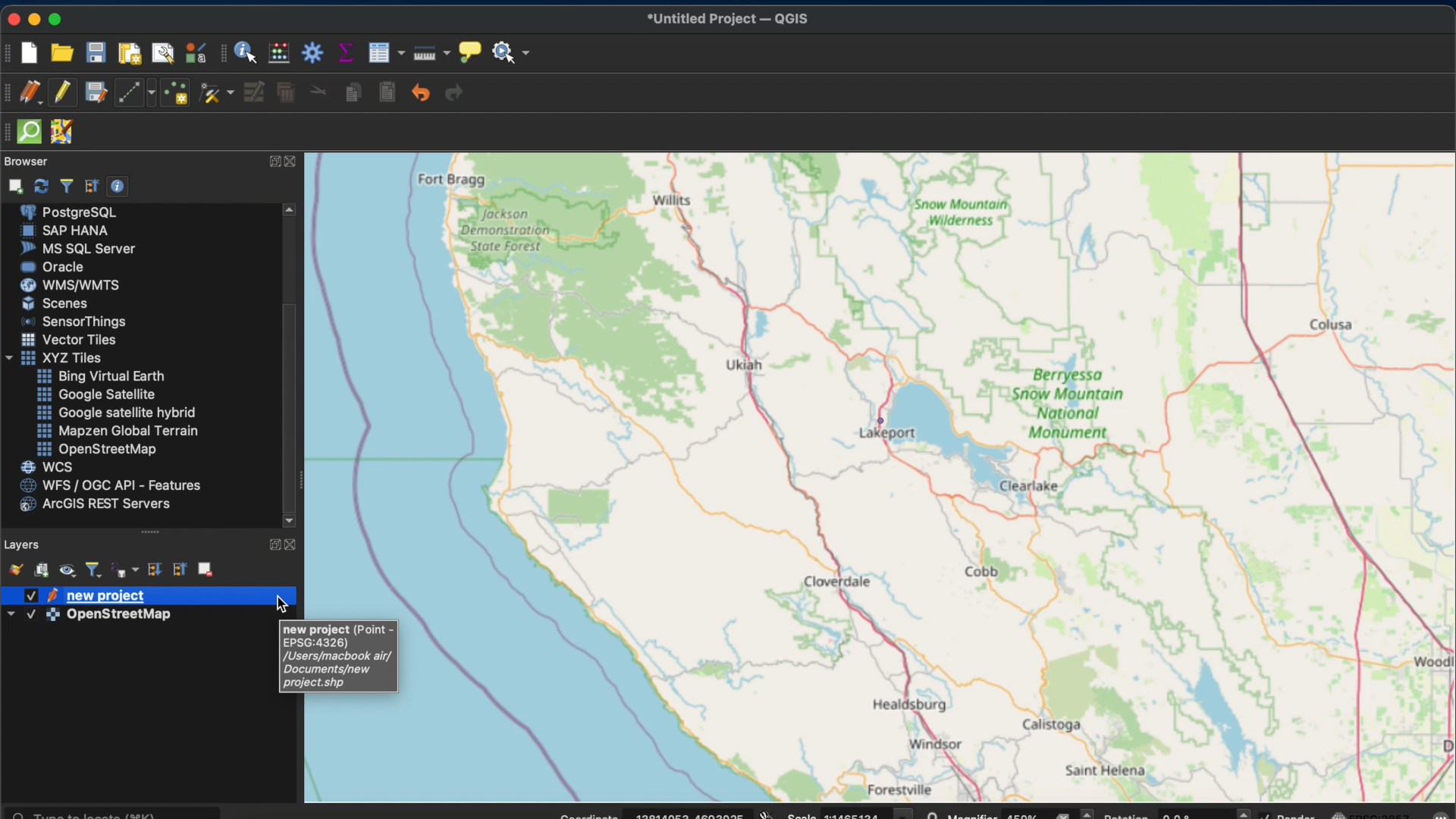 This screenshot has height=819, width=1456. I want to click on show. map tips, so click(468, 51).